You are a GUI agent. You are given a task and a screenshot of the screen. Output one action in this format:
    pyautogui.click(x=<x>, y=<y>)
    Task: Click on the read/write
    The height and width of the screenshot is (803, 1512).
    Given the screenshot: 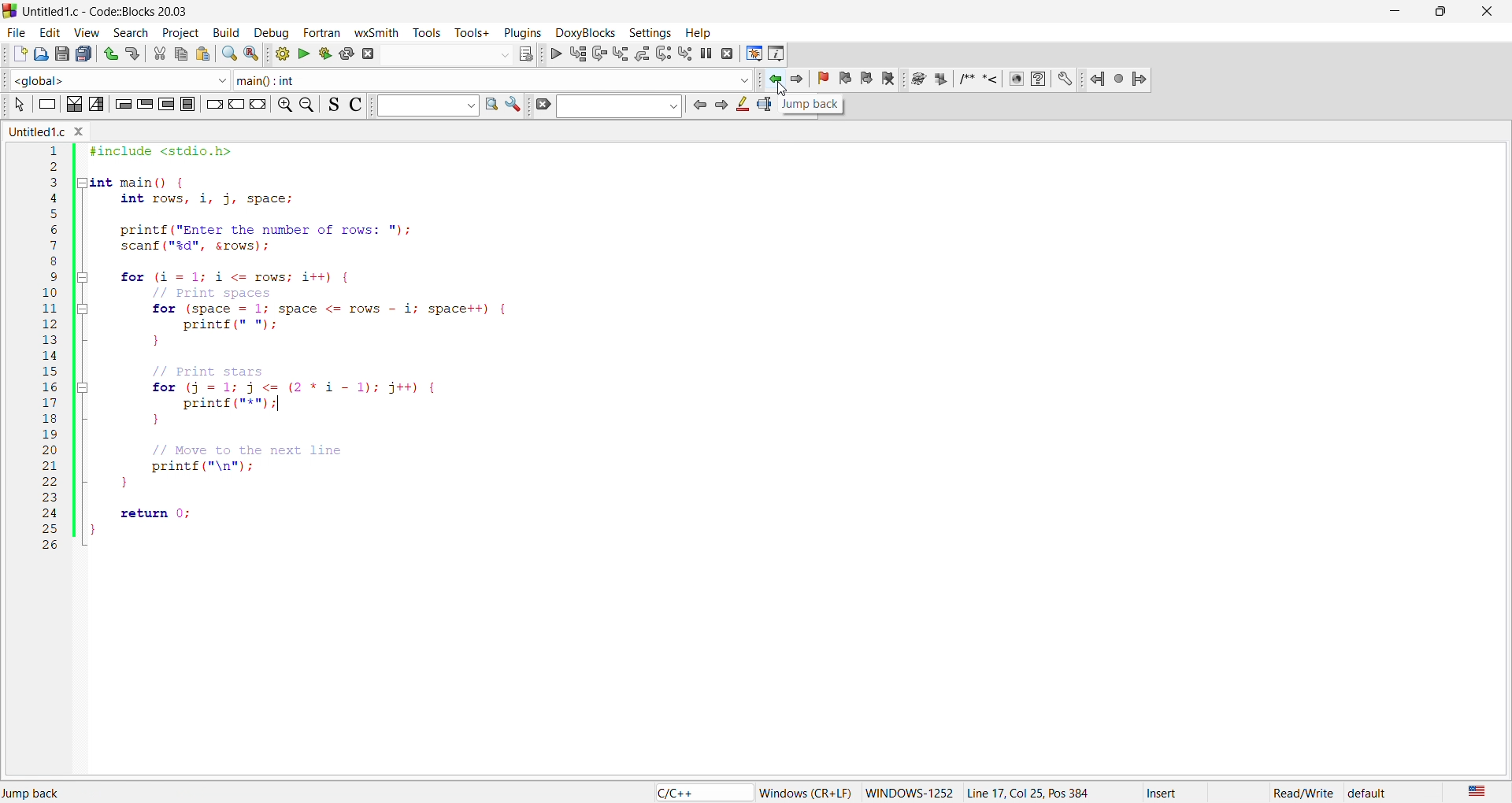 What is the action you would take?
    pyautogui.click(x=1285, y=790)
    